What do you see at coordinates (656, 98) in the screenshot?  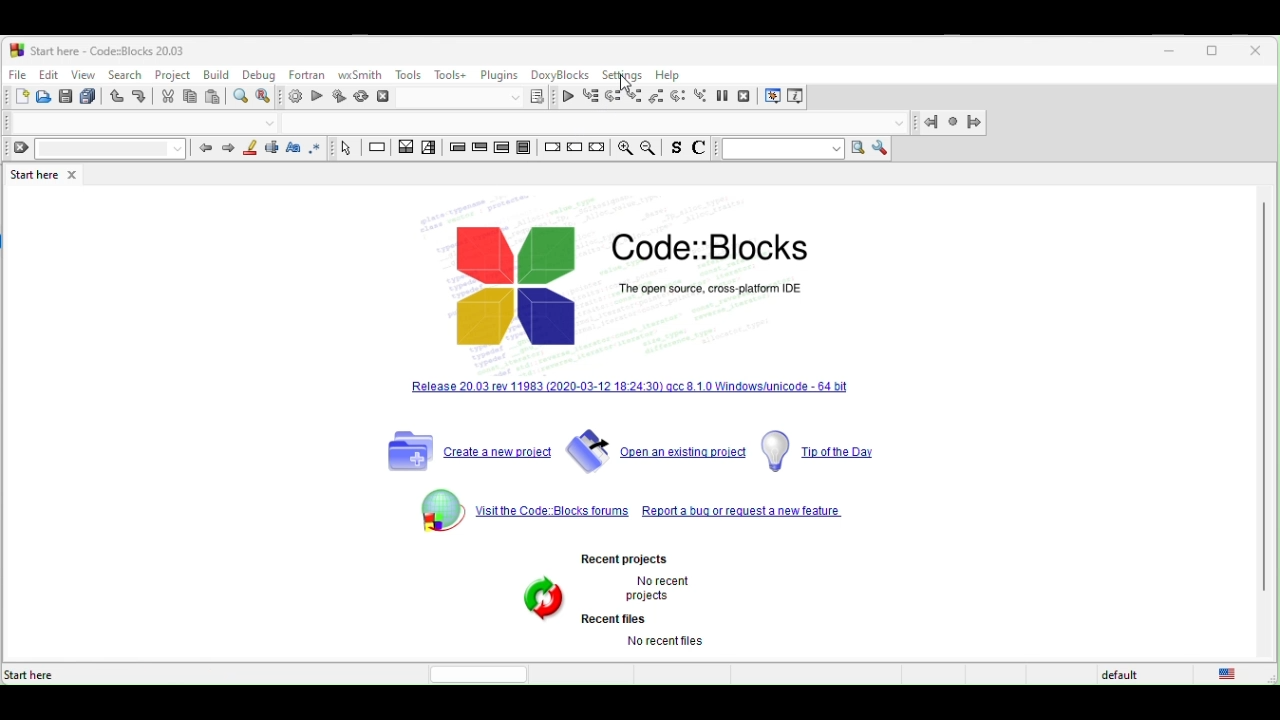 I see `step out` at bounding box center [656, 98].